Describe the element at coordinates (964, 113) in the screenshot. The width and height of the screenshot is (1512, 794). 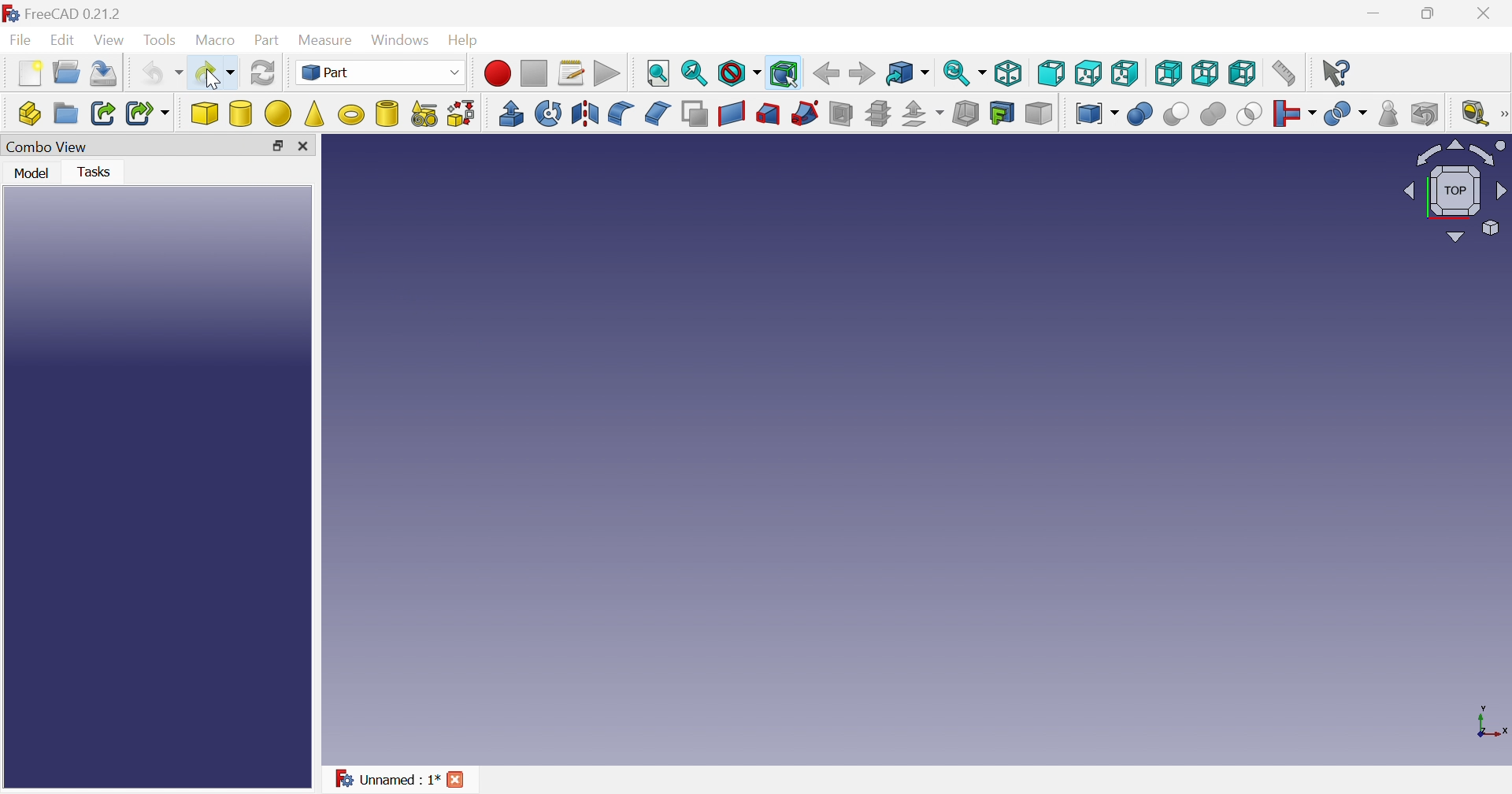
I see `Thickness...` at that location.